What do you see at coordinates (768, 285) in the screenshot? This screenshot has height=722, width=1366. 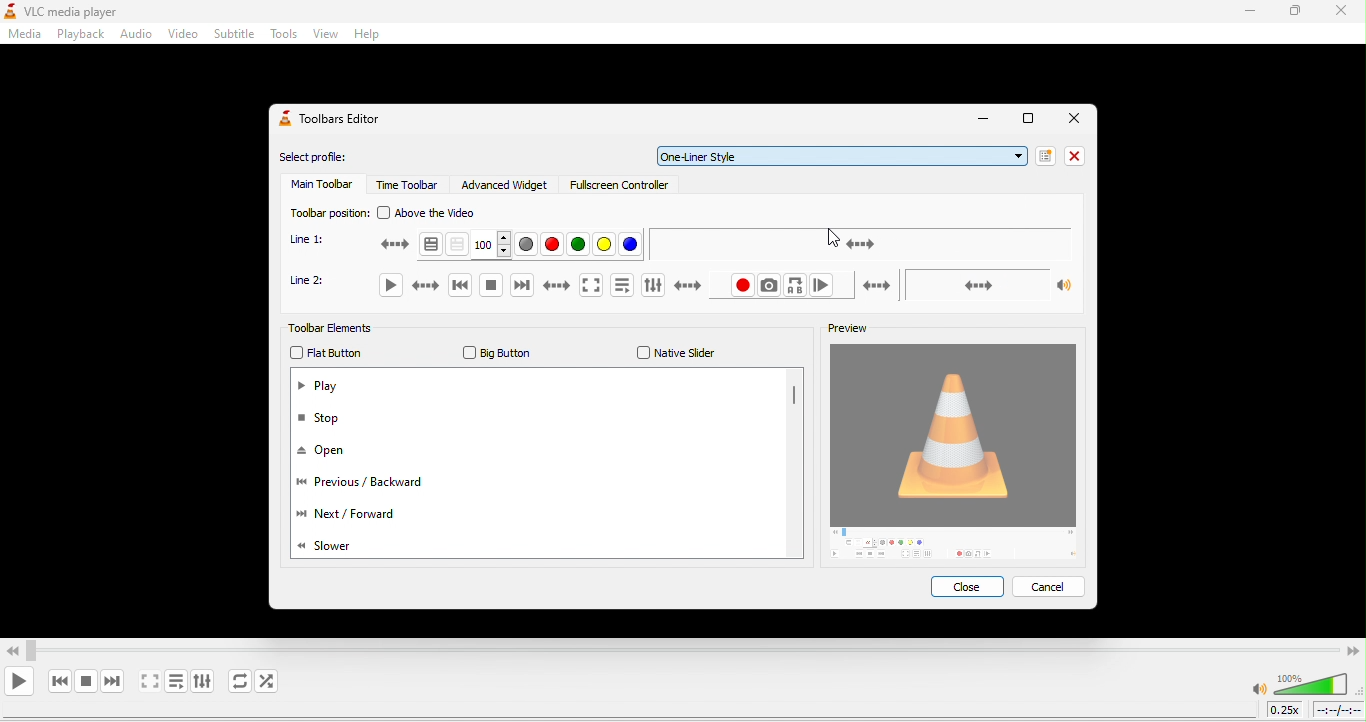 I see `snapshot` at bounding box center [768, 285].